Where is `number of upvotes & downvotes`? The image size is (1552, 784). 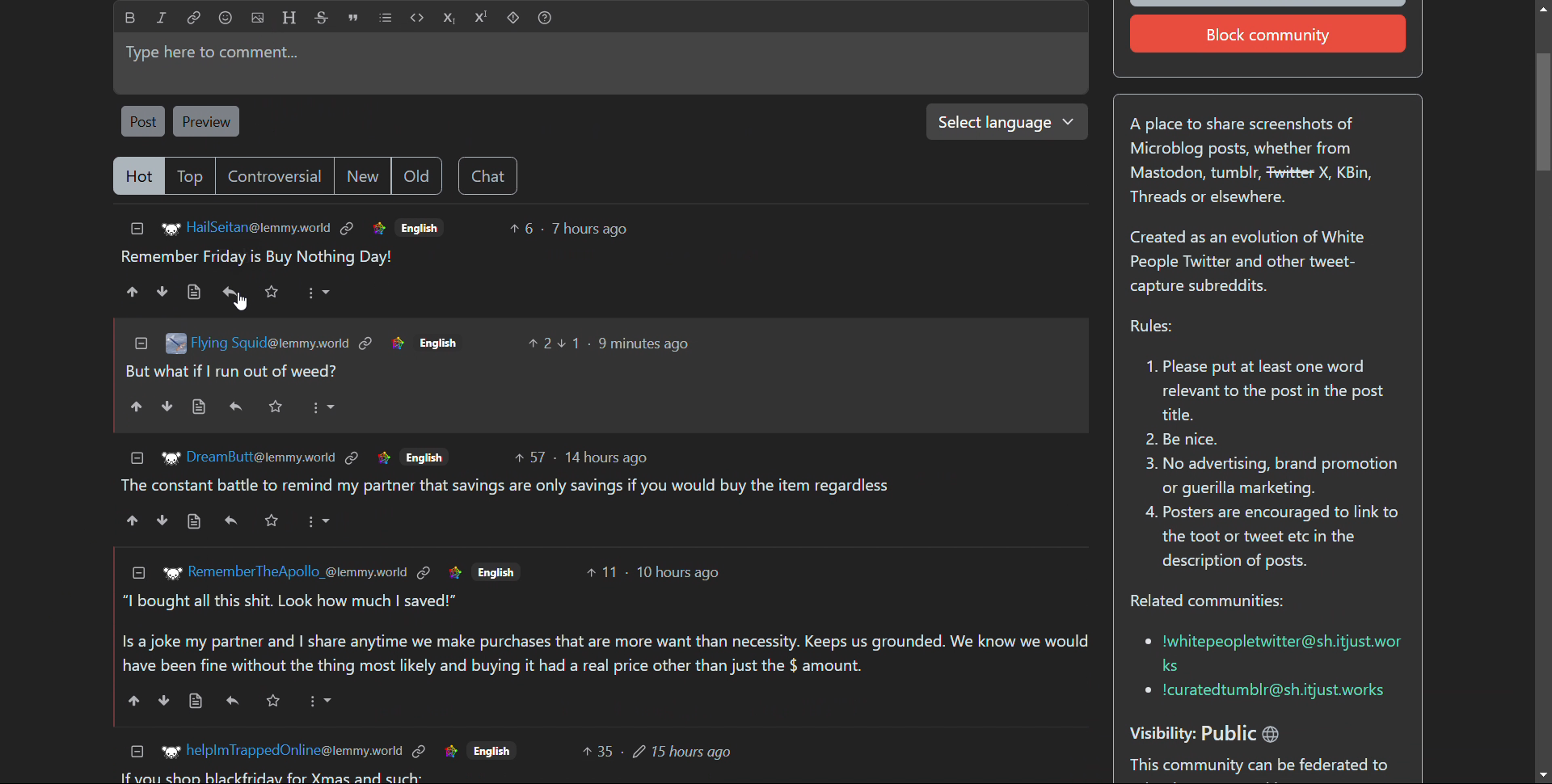 number of upvotes & downvotes is located at coordinates (552, 344).